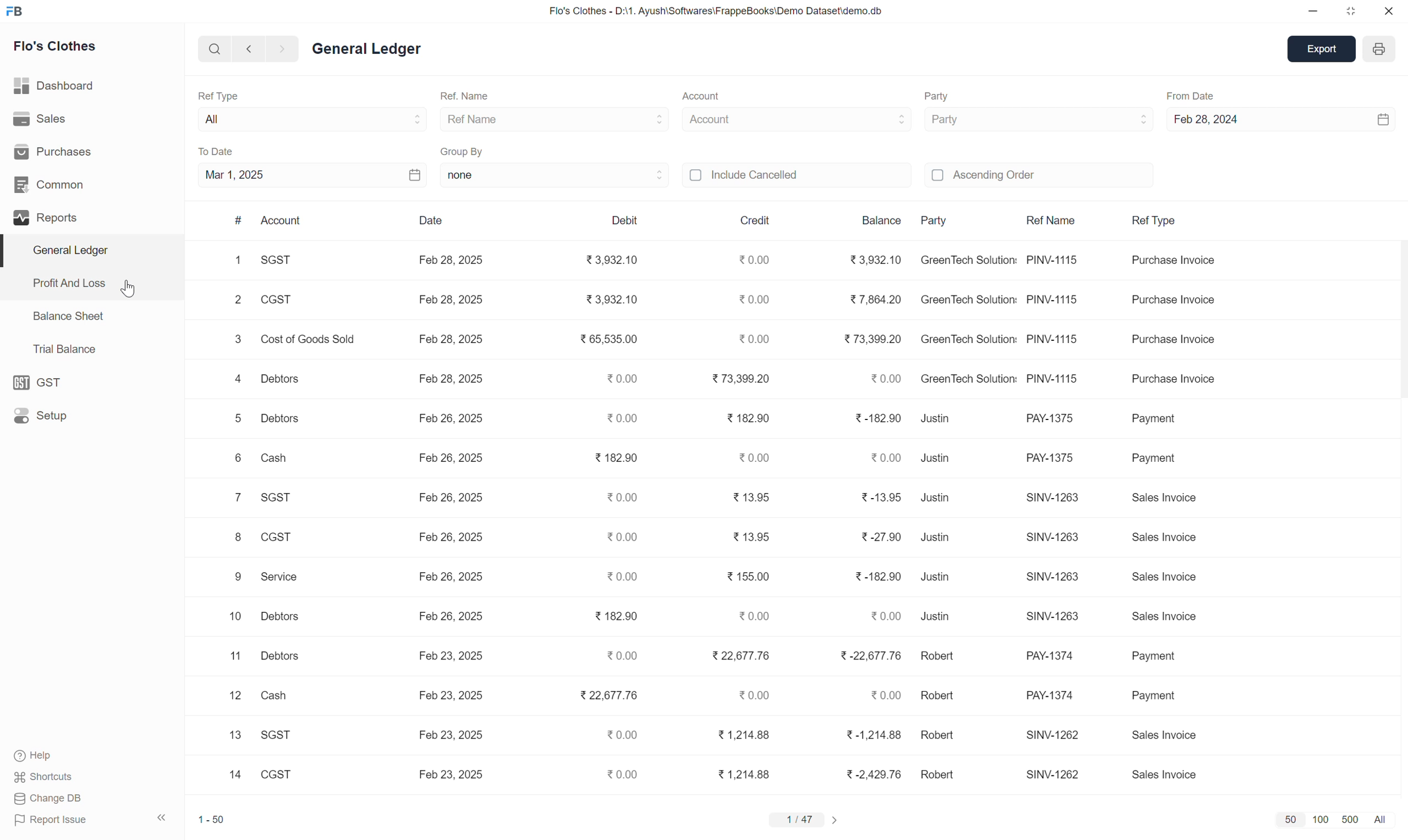 The width and height of the screenshot is (1408, 840). I want to click on 7, so click(233, 498).